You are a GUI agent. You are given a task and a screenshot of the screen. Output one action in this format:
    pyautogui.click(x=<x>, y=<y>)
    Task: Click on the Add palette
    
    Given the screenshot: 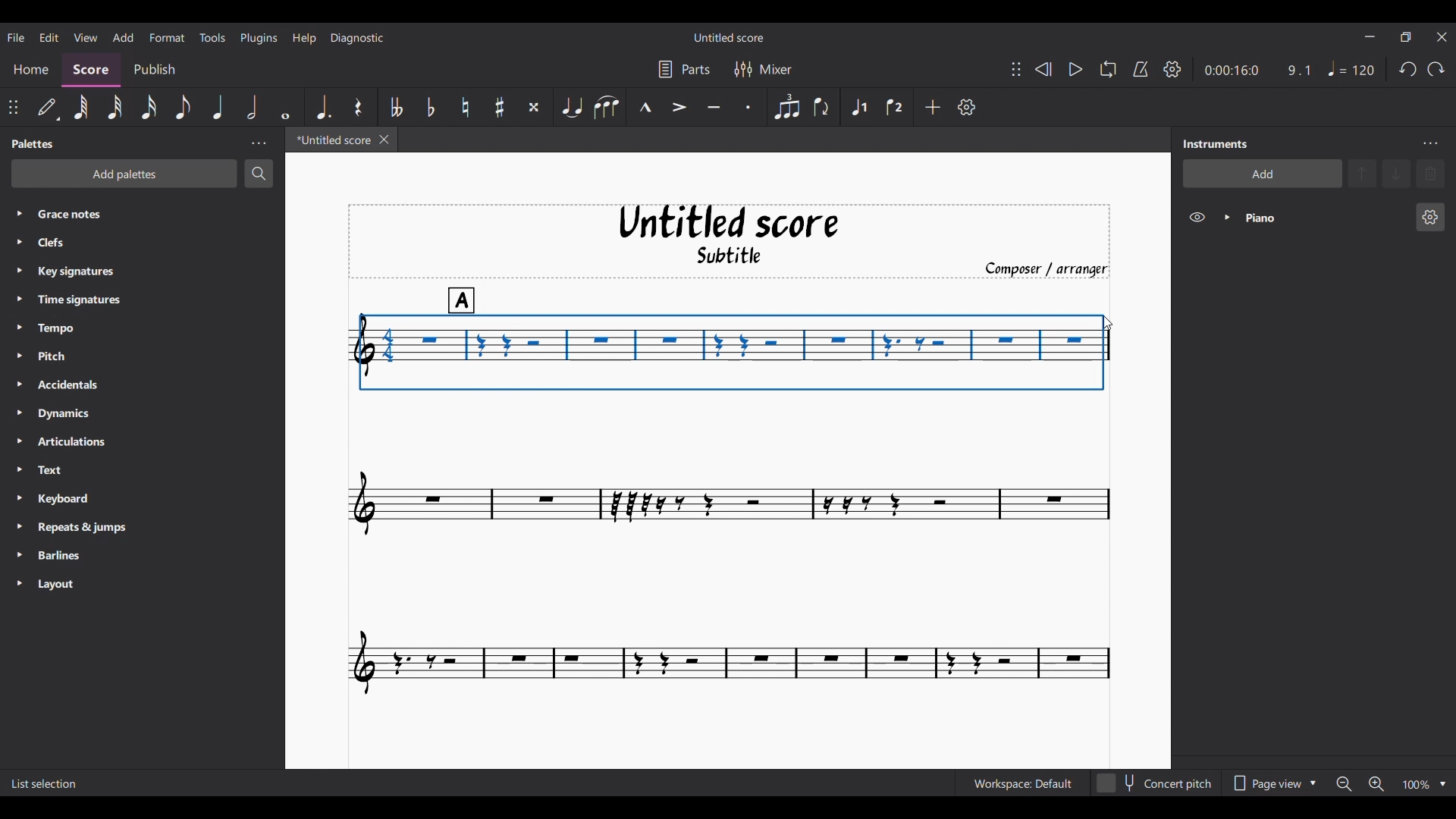 What is the action you would take?
    pyautogui.click(x=124, y=174)
    